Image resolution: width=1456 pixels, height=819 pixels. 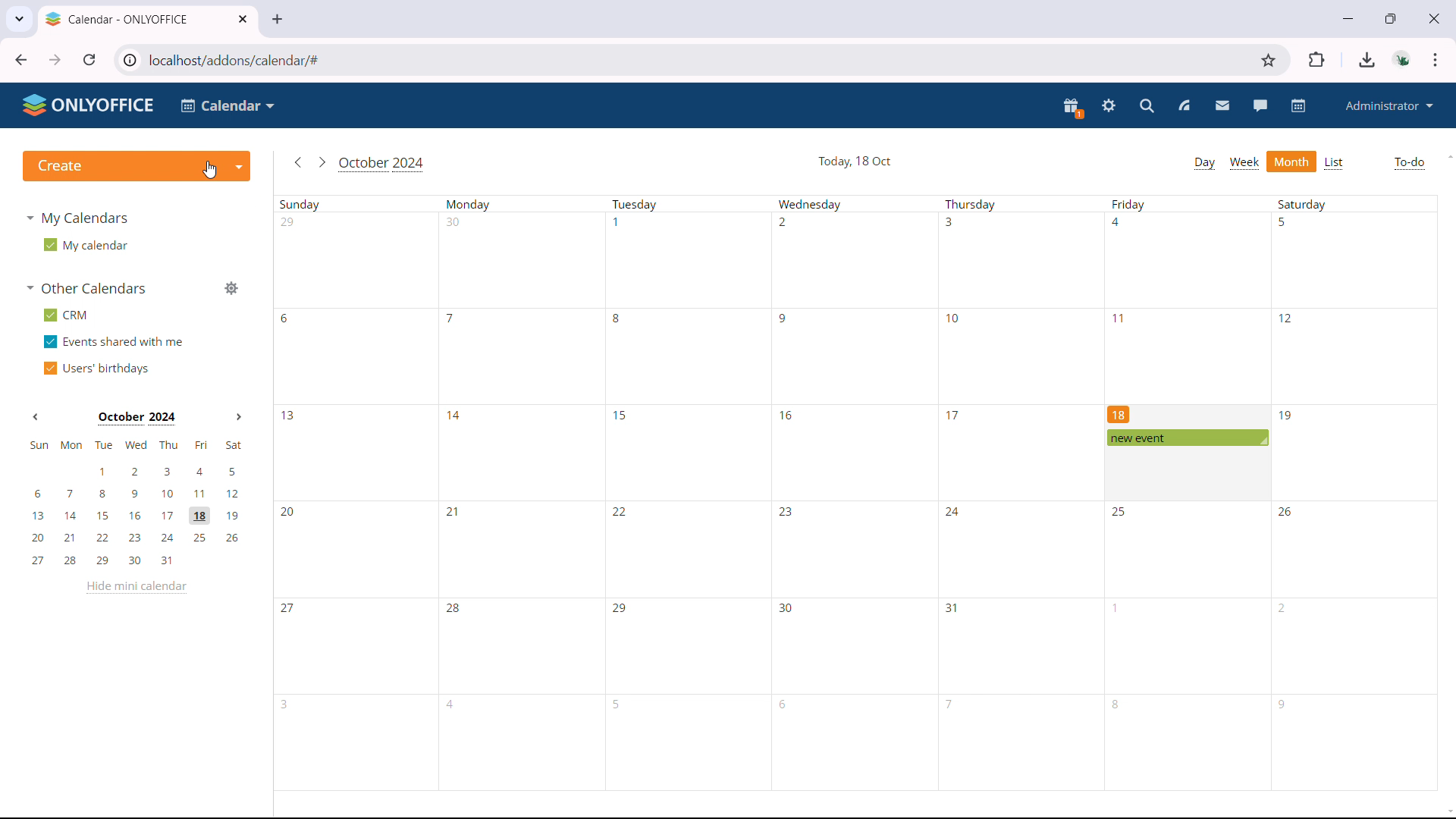 I want to click on reload this page, so click(x=90, y=59).